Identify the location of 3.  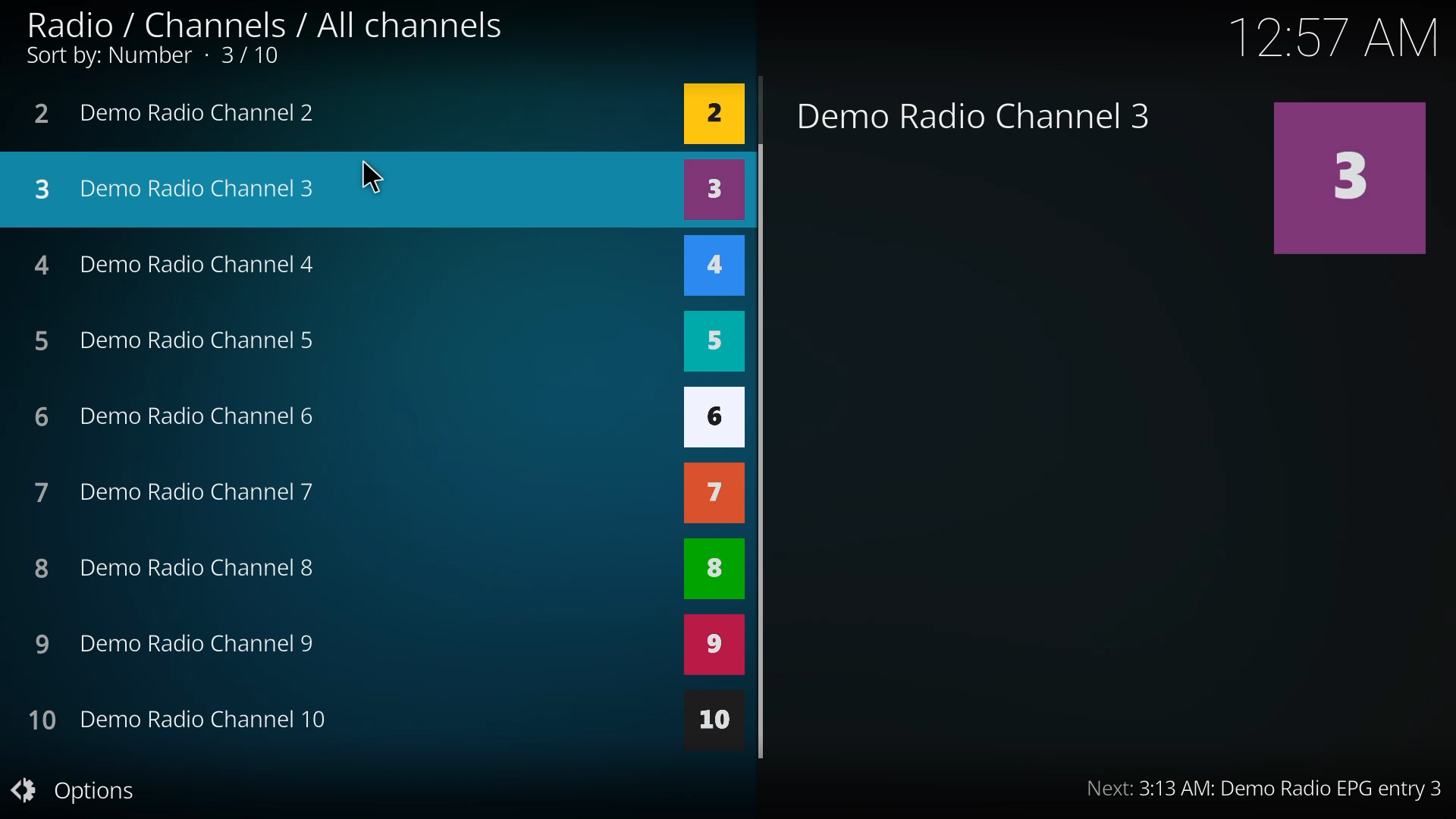
(713, 190).